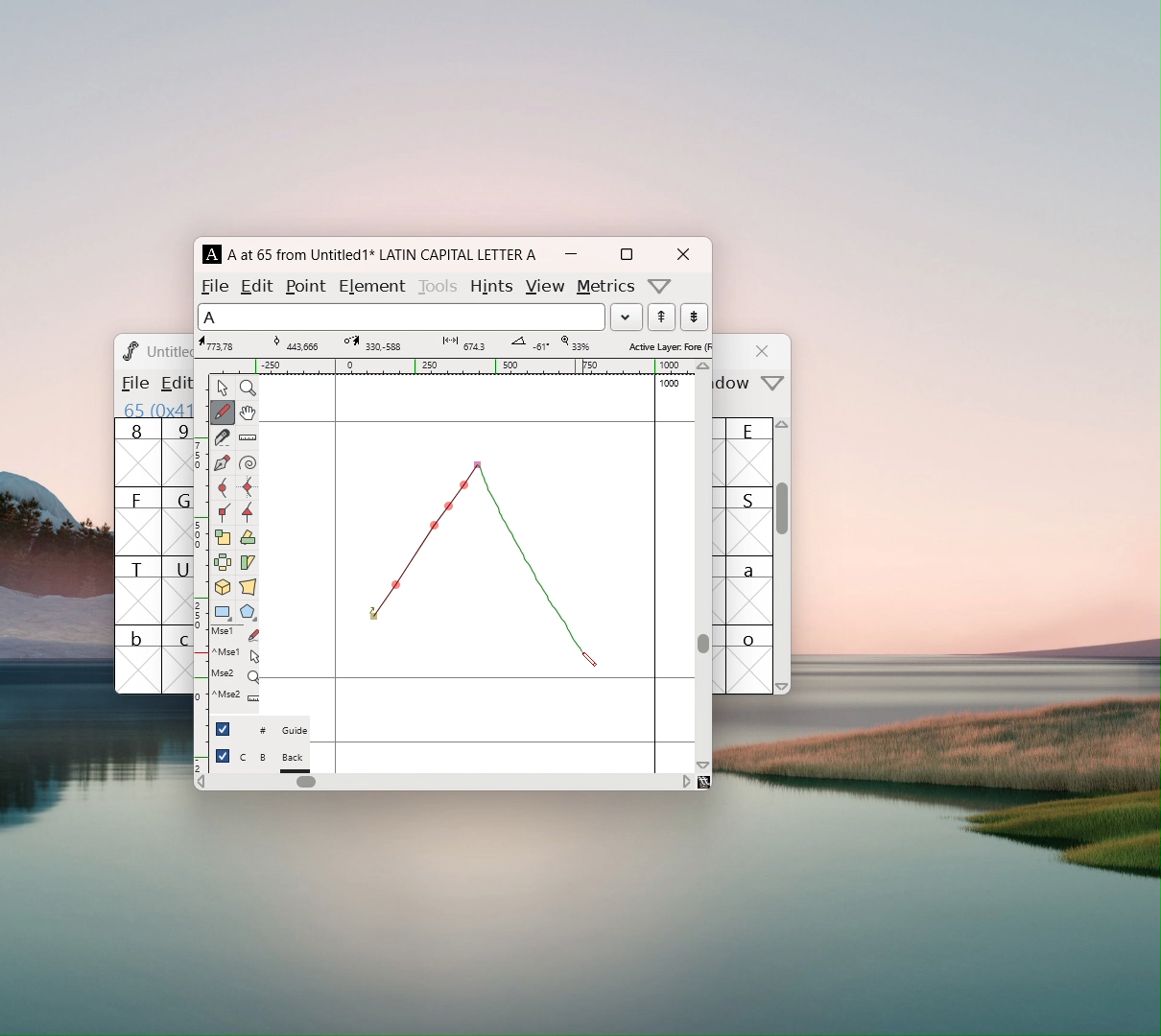 The image size is (1161, 1036). Describe the element at coordinates (173, 385) in the screenshot. I see `` at that location.